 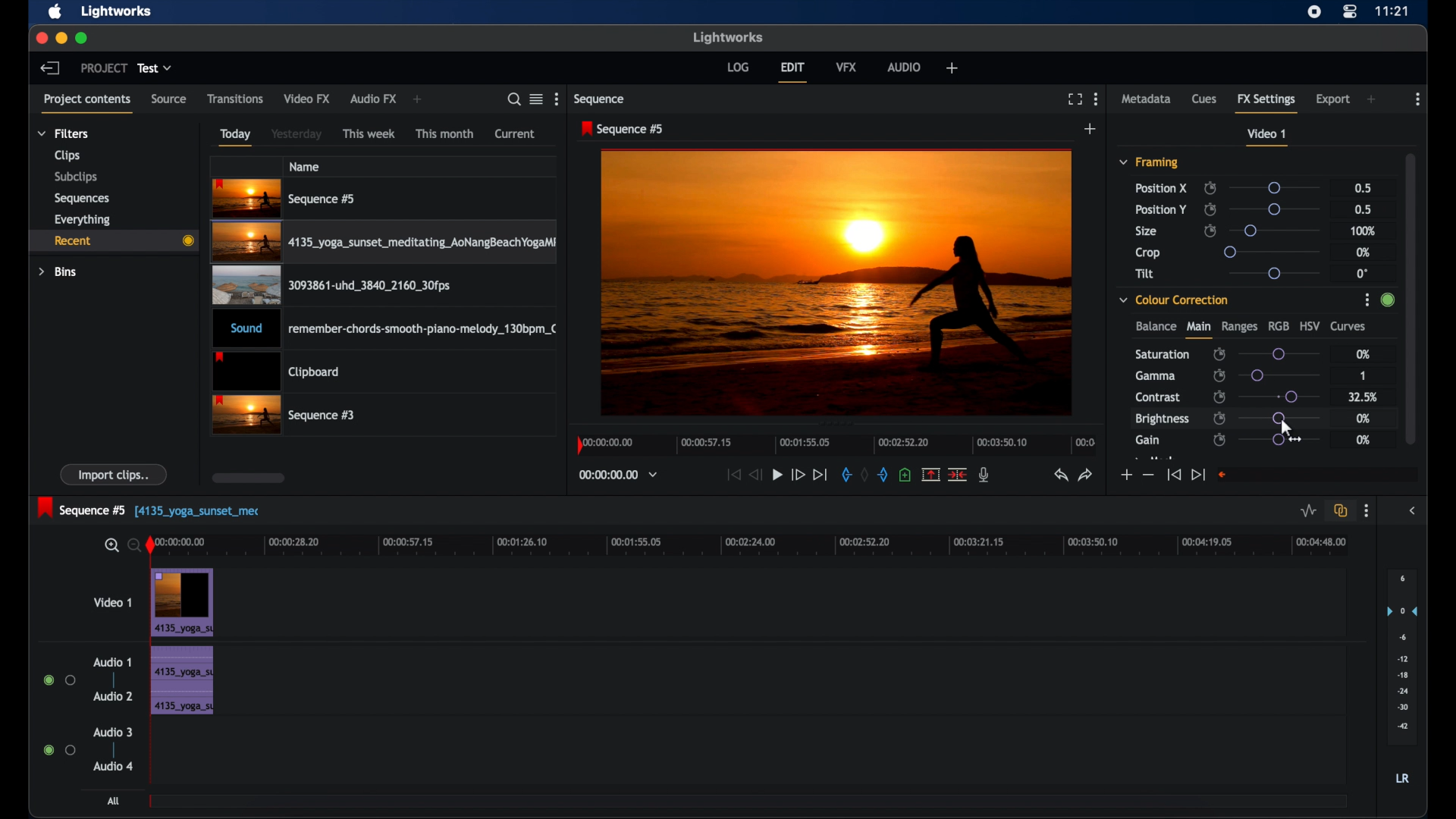 What do you see at coordinates (117, 11) in the screenshot?
I see `lightworks` at bounding box center [117, 11].